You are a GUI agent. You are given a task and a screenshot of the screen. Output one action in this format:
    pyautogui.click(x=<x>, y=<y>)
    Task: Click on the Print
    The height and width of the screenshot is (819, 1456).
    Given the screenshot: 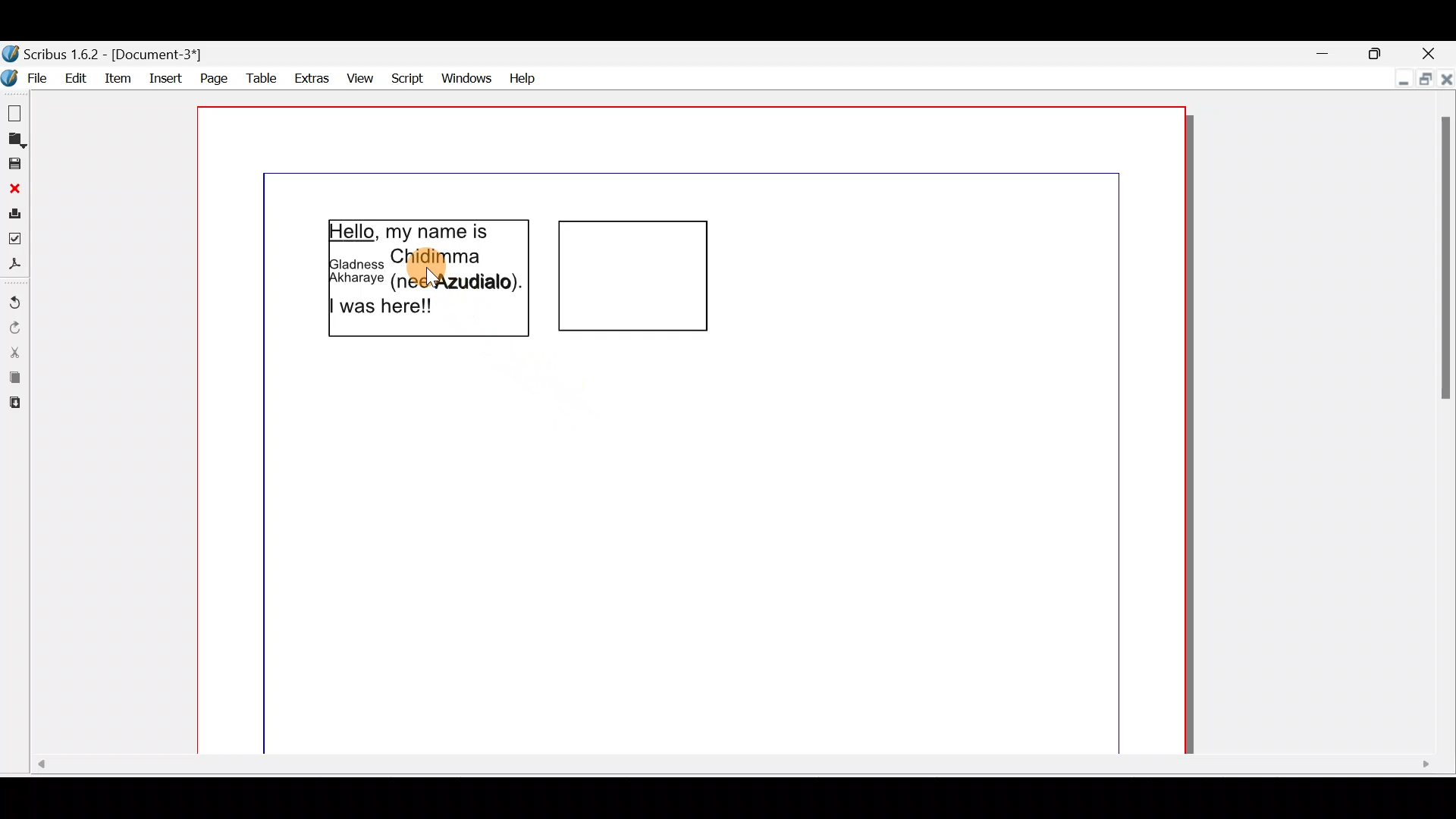 What is the action you would take?
    pyautogui.click(x=14, y=212)
    